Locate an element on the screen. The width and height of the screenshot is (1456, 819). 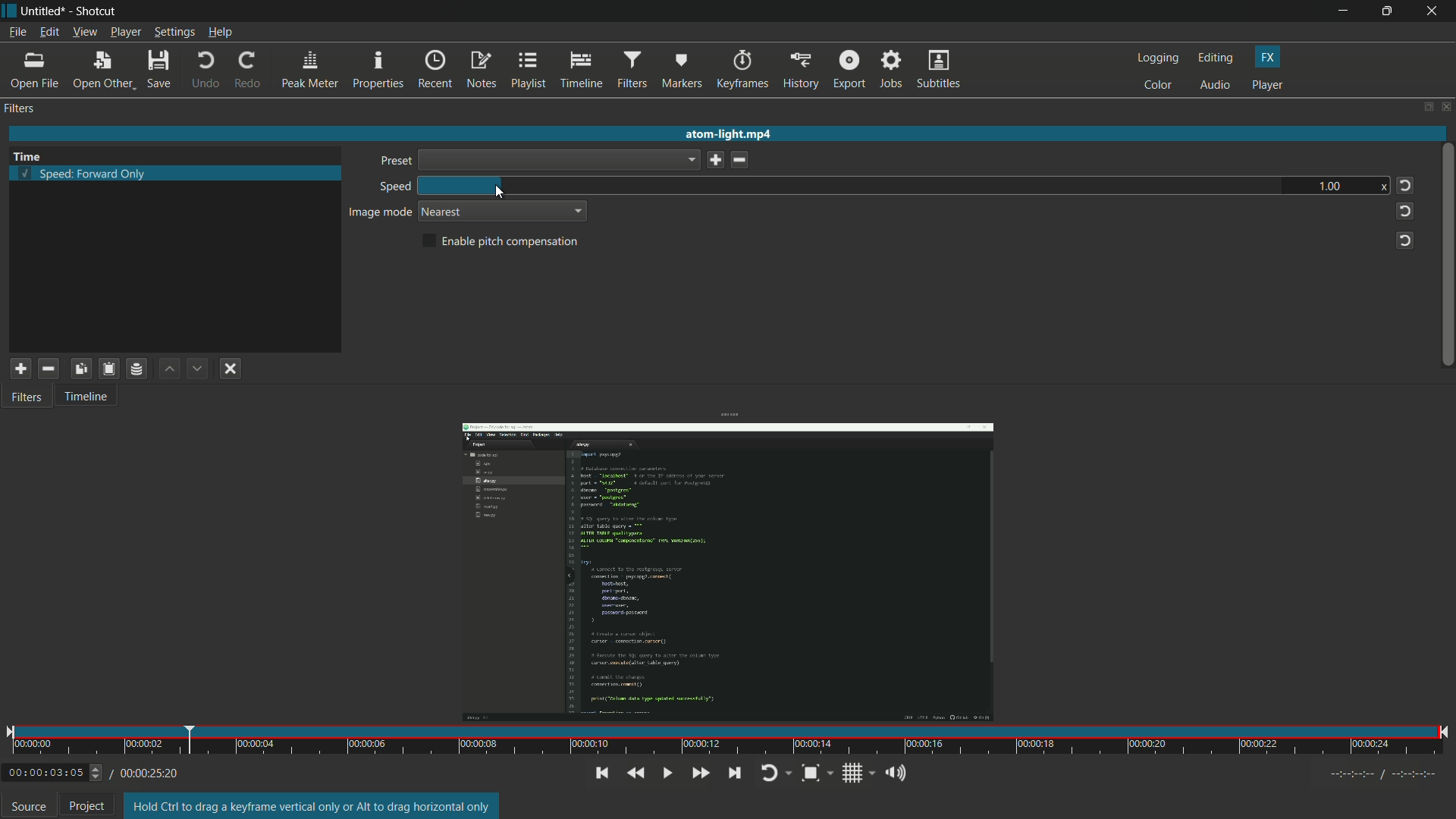
markers is located at coordinates (683, 71).